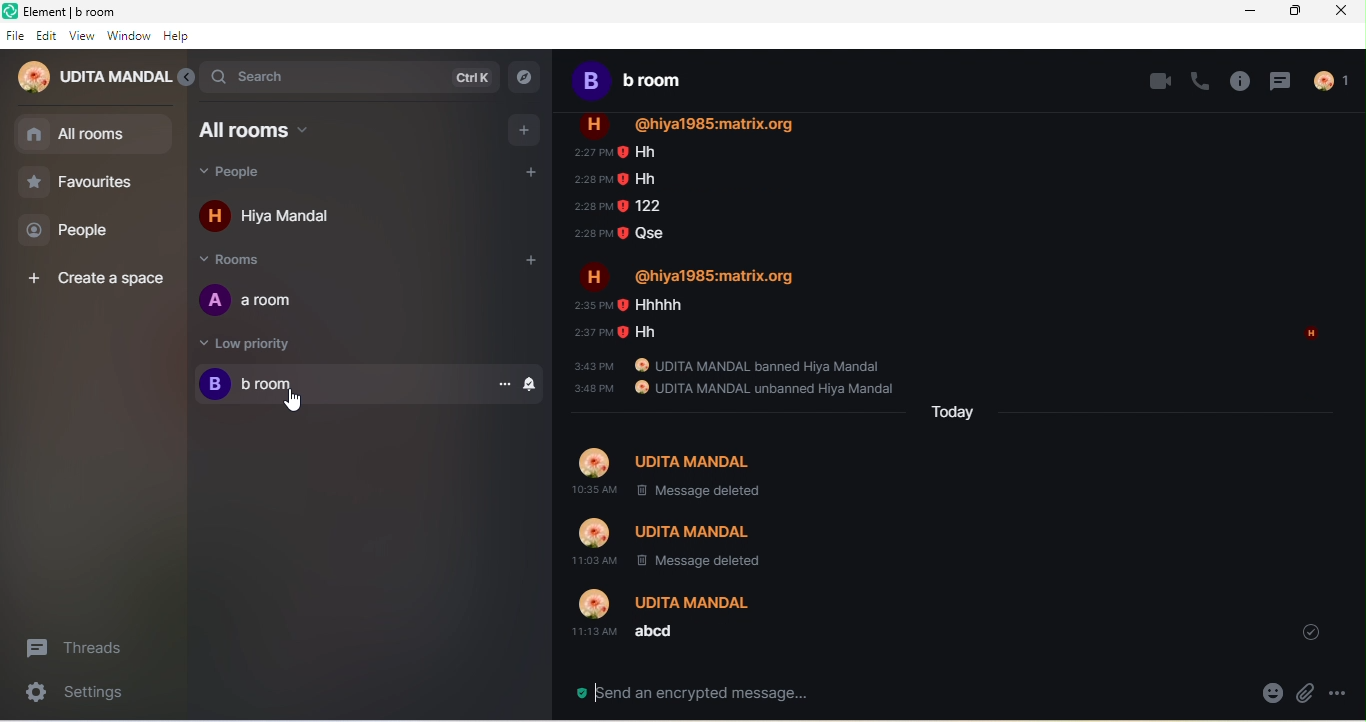 The height and width of the screenshot is (722, 1366). What do you see at coordinates (242, 262) in the screenshot?
I see `rooms` at bounding box center [242, 262].